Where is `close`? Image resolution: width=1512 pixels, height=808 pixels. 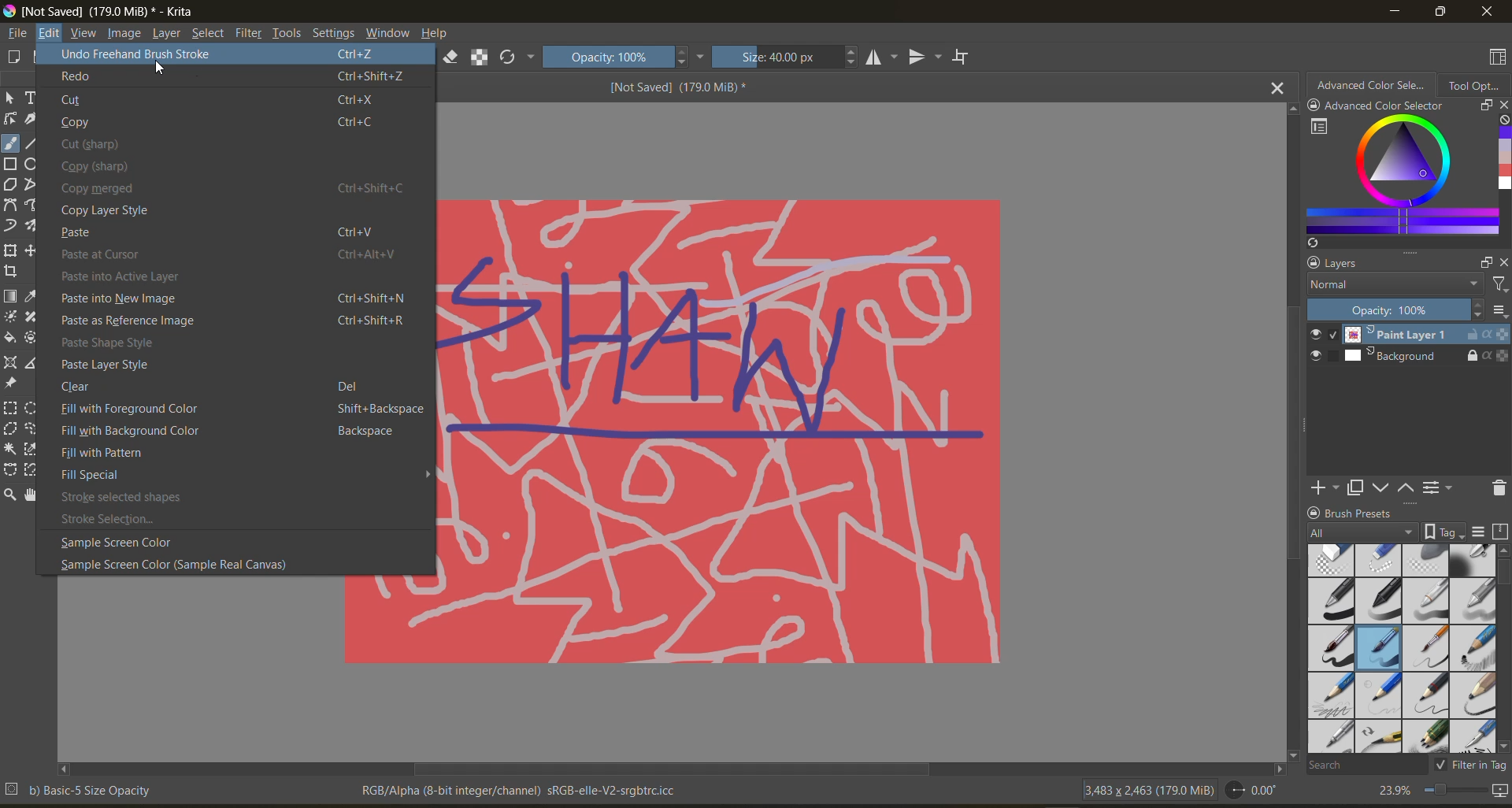 close is located at coordinates (1488, 12).